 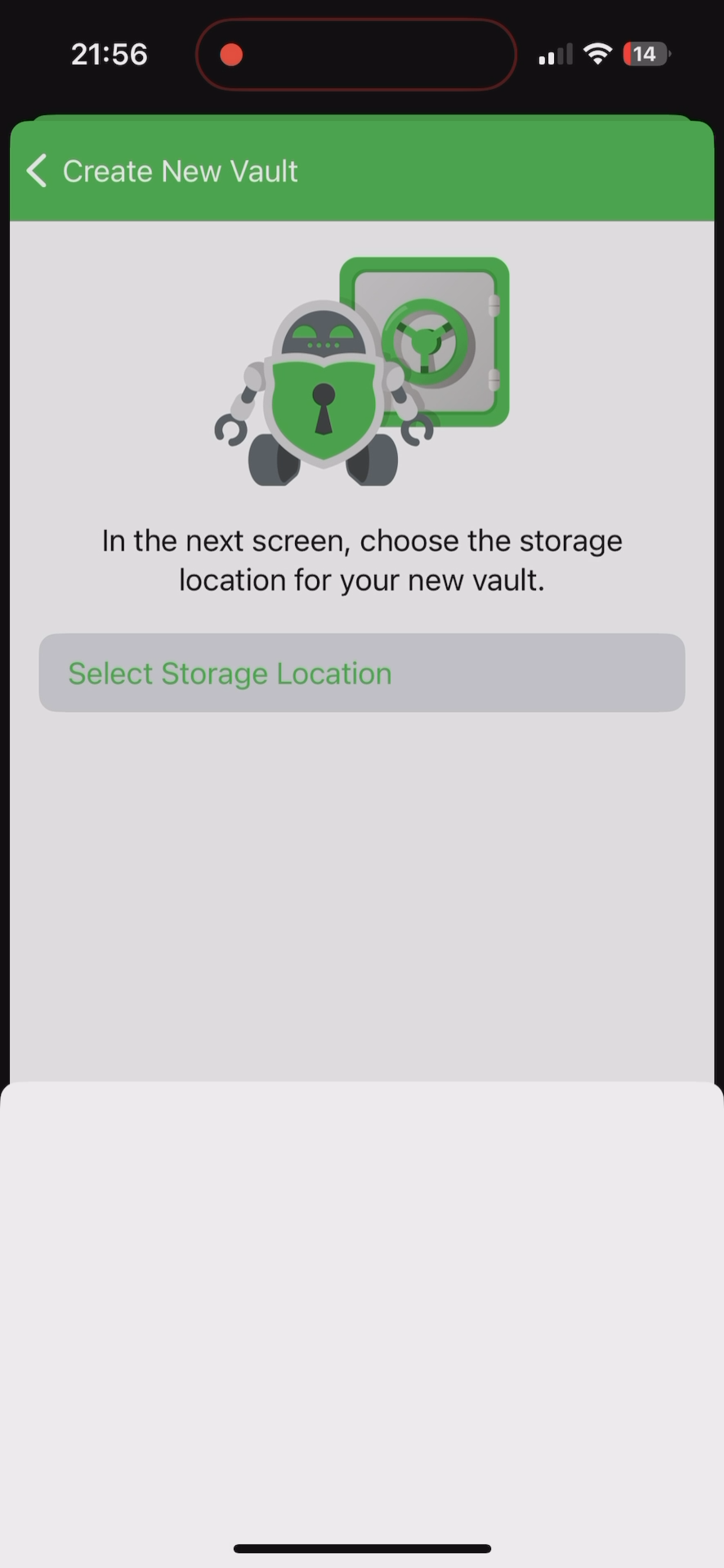 What do you see at coordinates (364, 365) in the screenshot?
I see `logo` at bounding box center [364, 365].